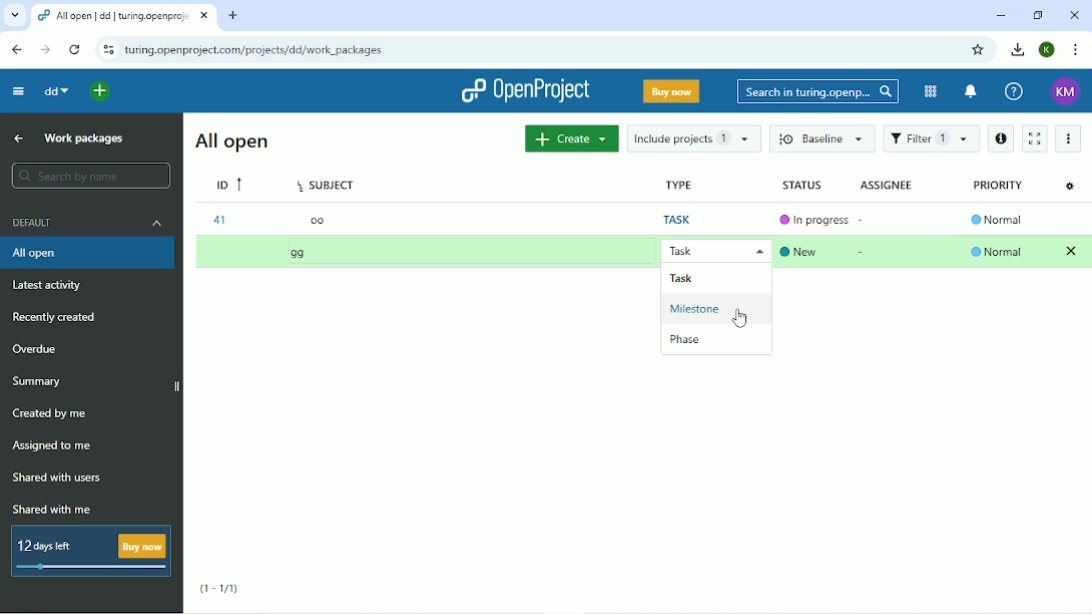 This screenshot has width=1092, height=614. Describe the element at coordinates (222, 585) in the screenshot. I see `(1-1/1)` at that location.